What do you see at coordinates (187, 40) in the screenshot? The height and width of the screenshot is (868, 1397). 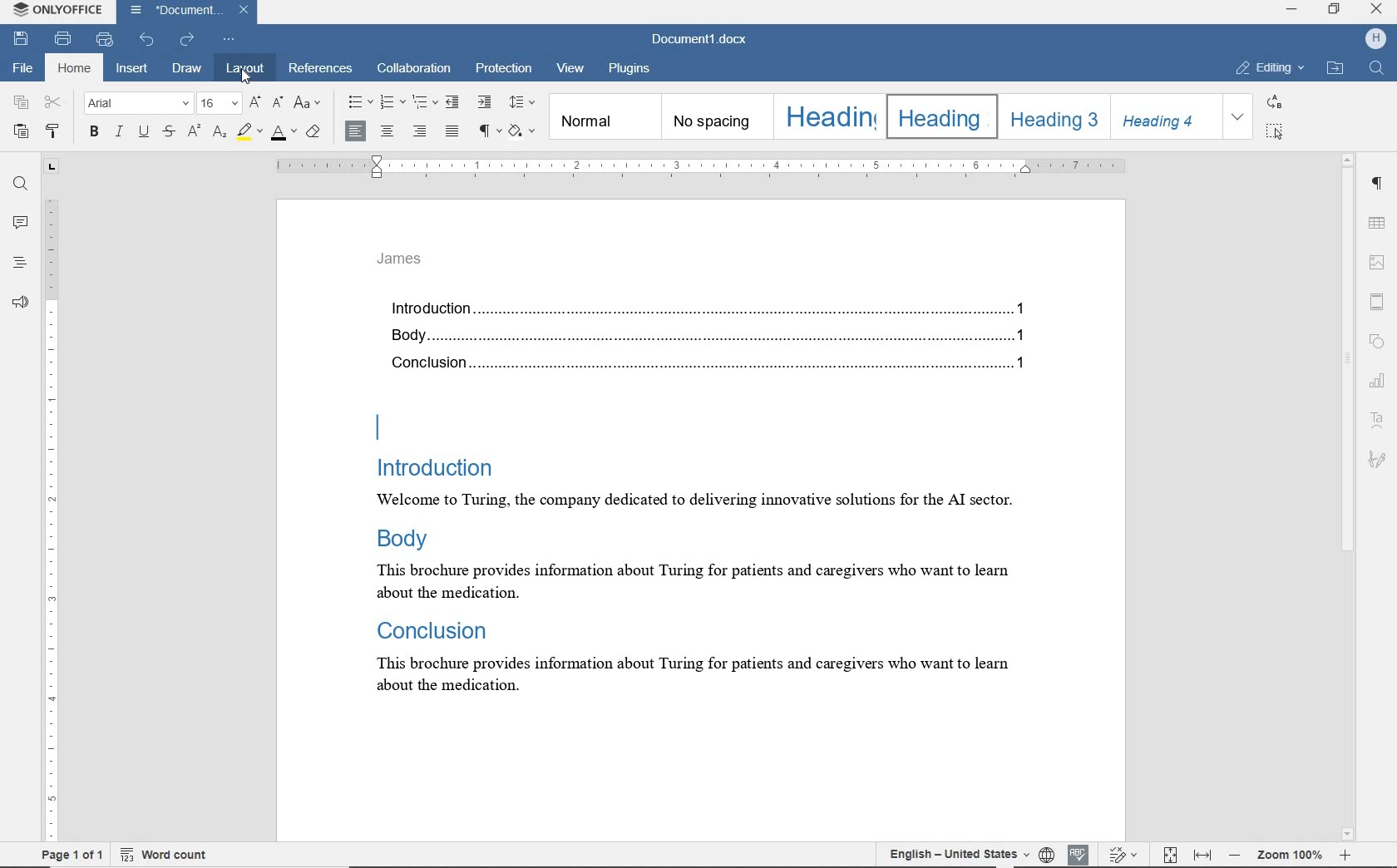 I see `redo` at bounding box center [187, 40].